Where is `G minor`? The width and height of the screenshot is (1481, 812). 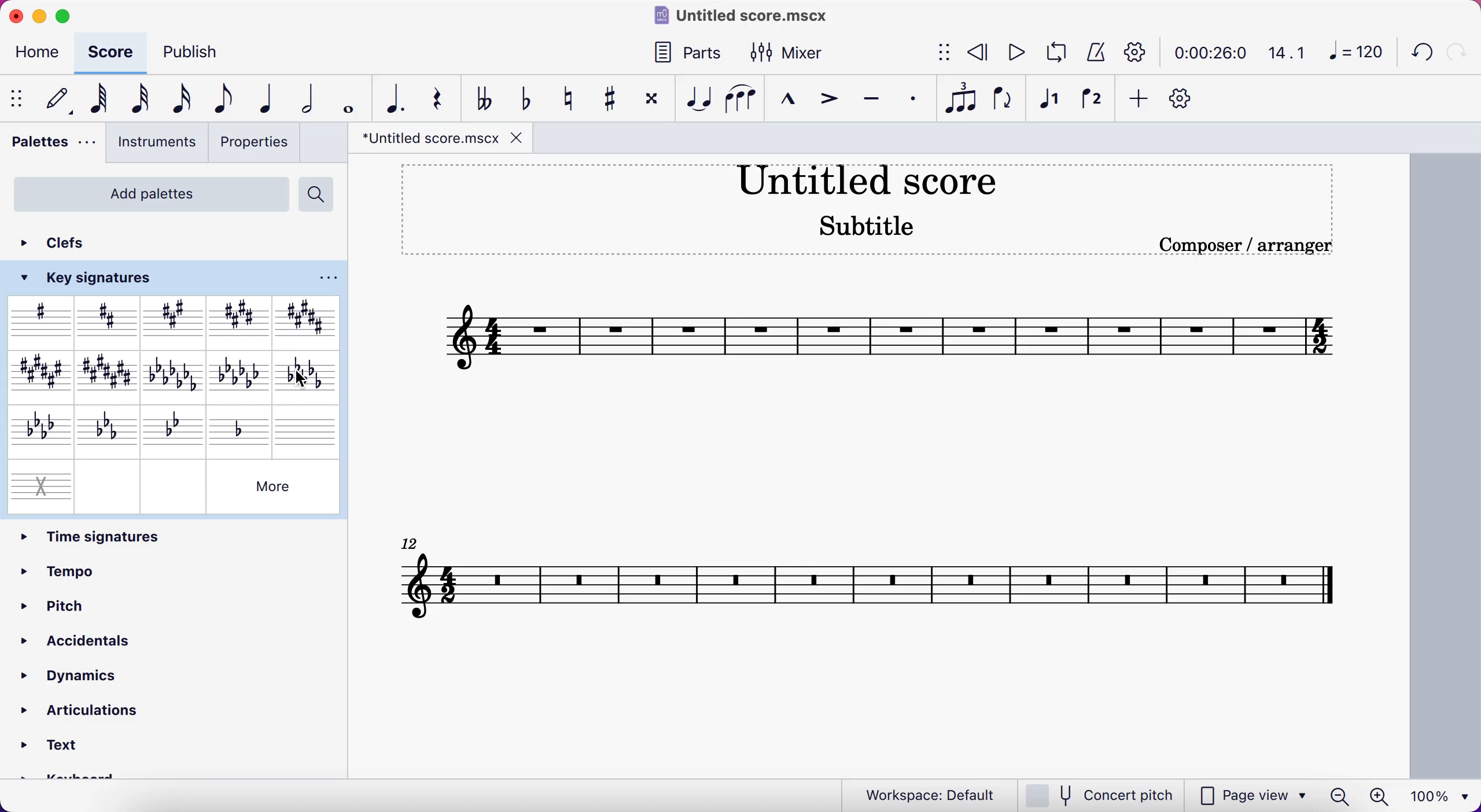
G minor is located at coordinates (176, 428).